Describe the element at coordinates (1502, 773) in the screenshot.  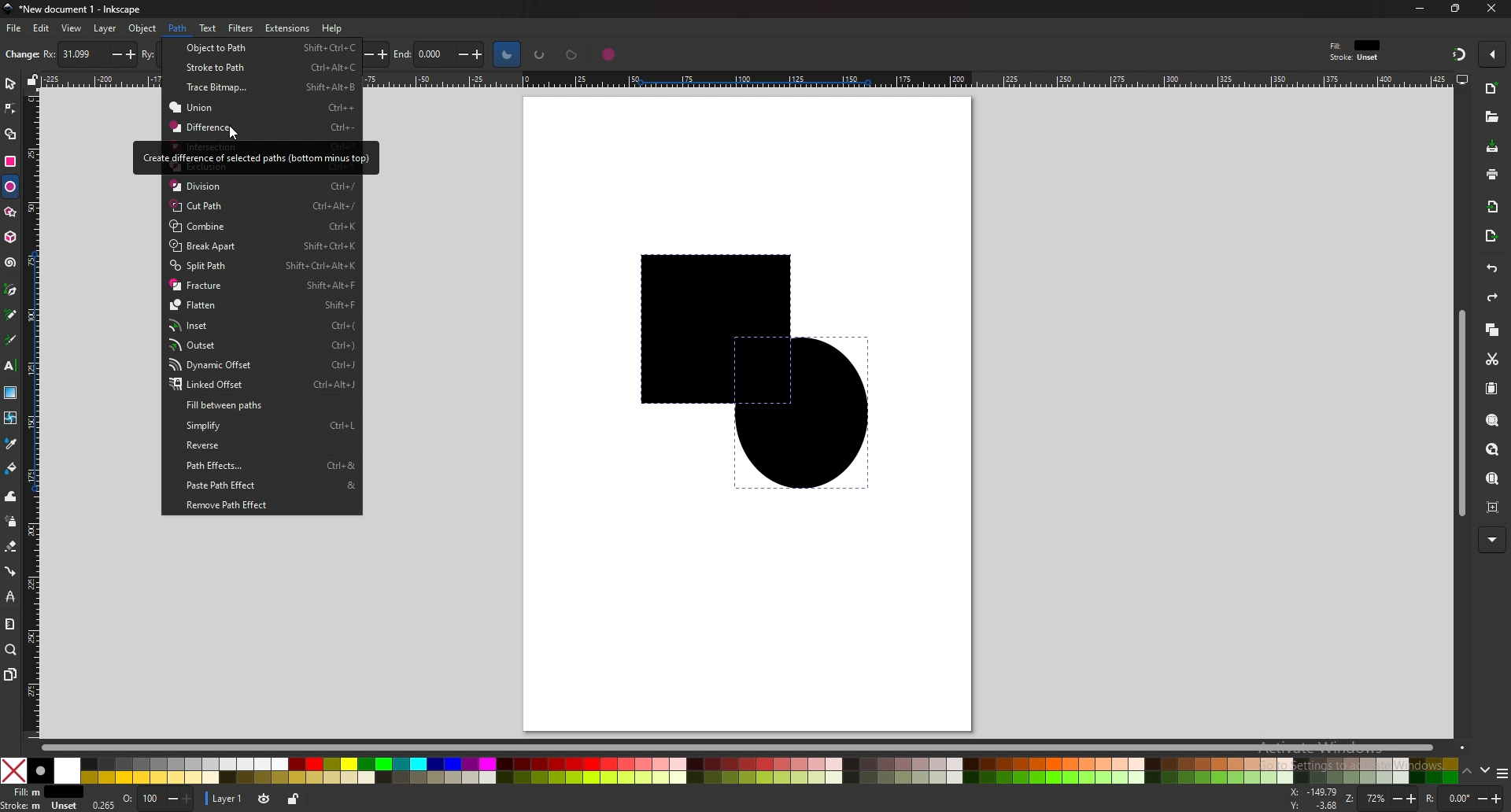
I see `more colors` at that location.